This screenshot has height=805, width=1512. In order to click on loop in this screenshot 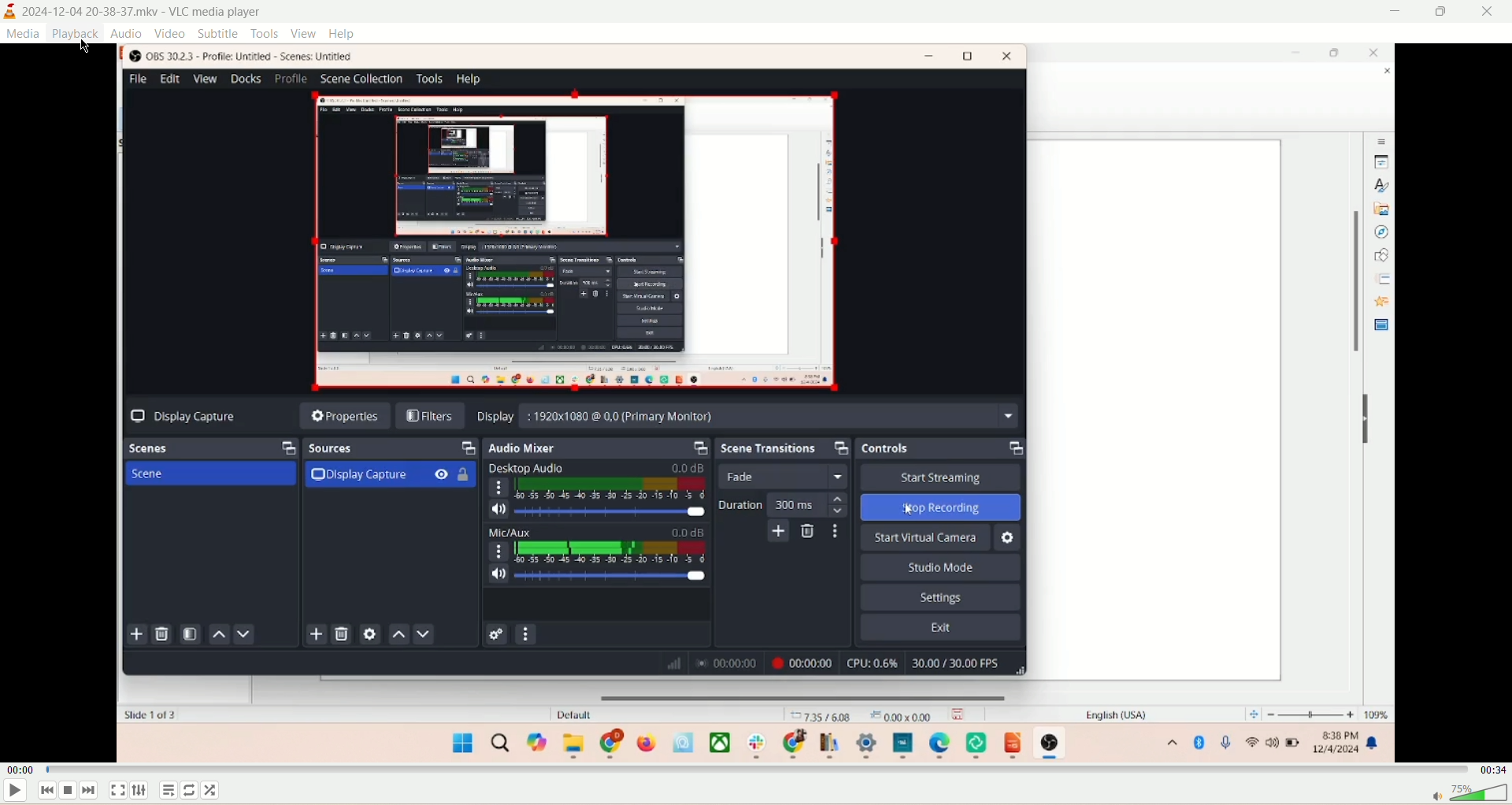, I will do `click(190, 790)`.